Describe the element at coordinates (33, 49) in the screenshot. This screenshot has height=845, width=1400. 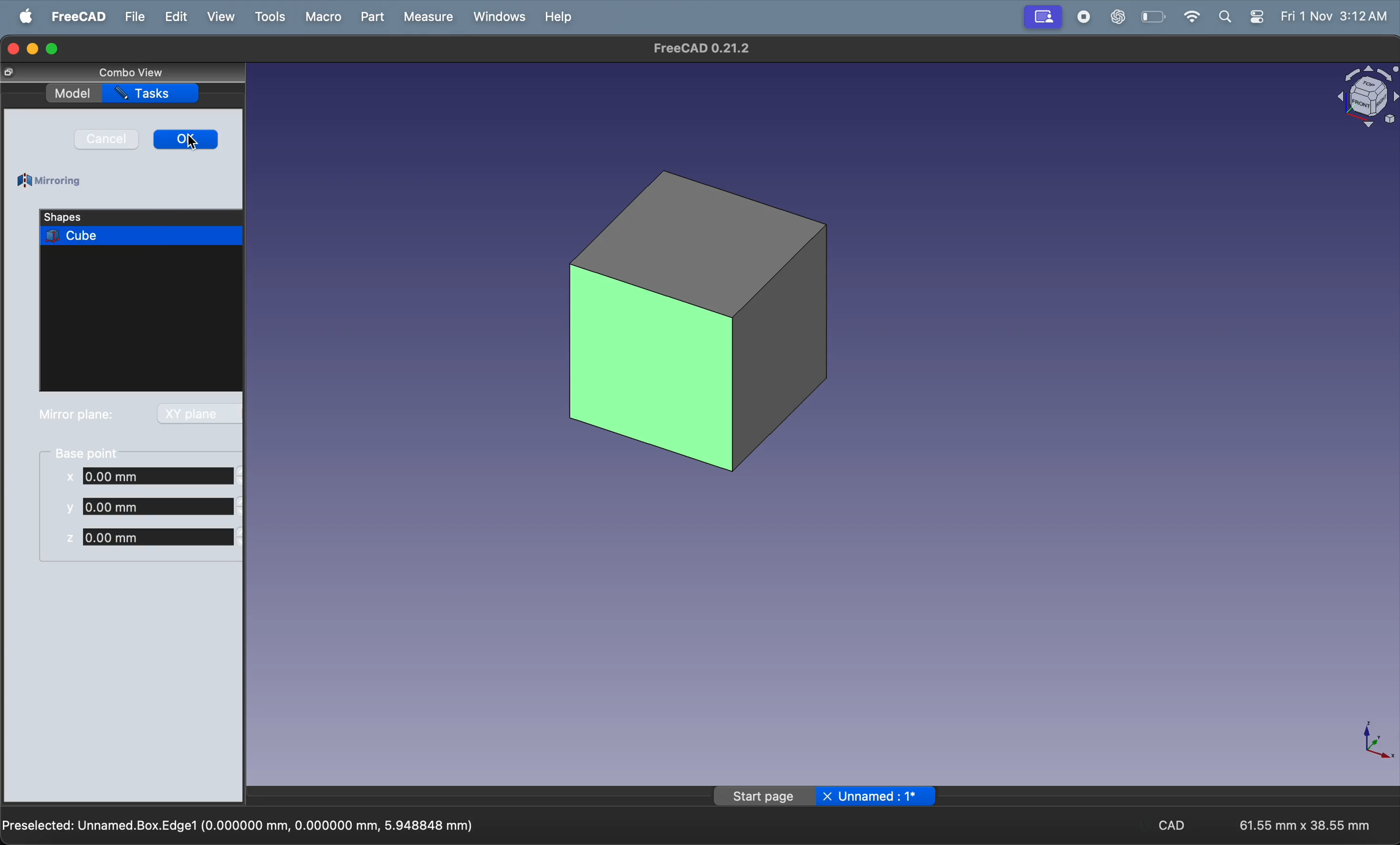
I see `minimize` at that location.